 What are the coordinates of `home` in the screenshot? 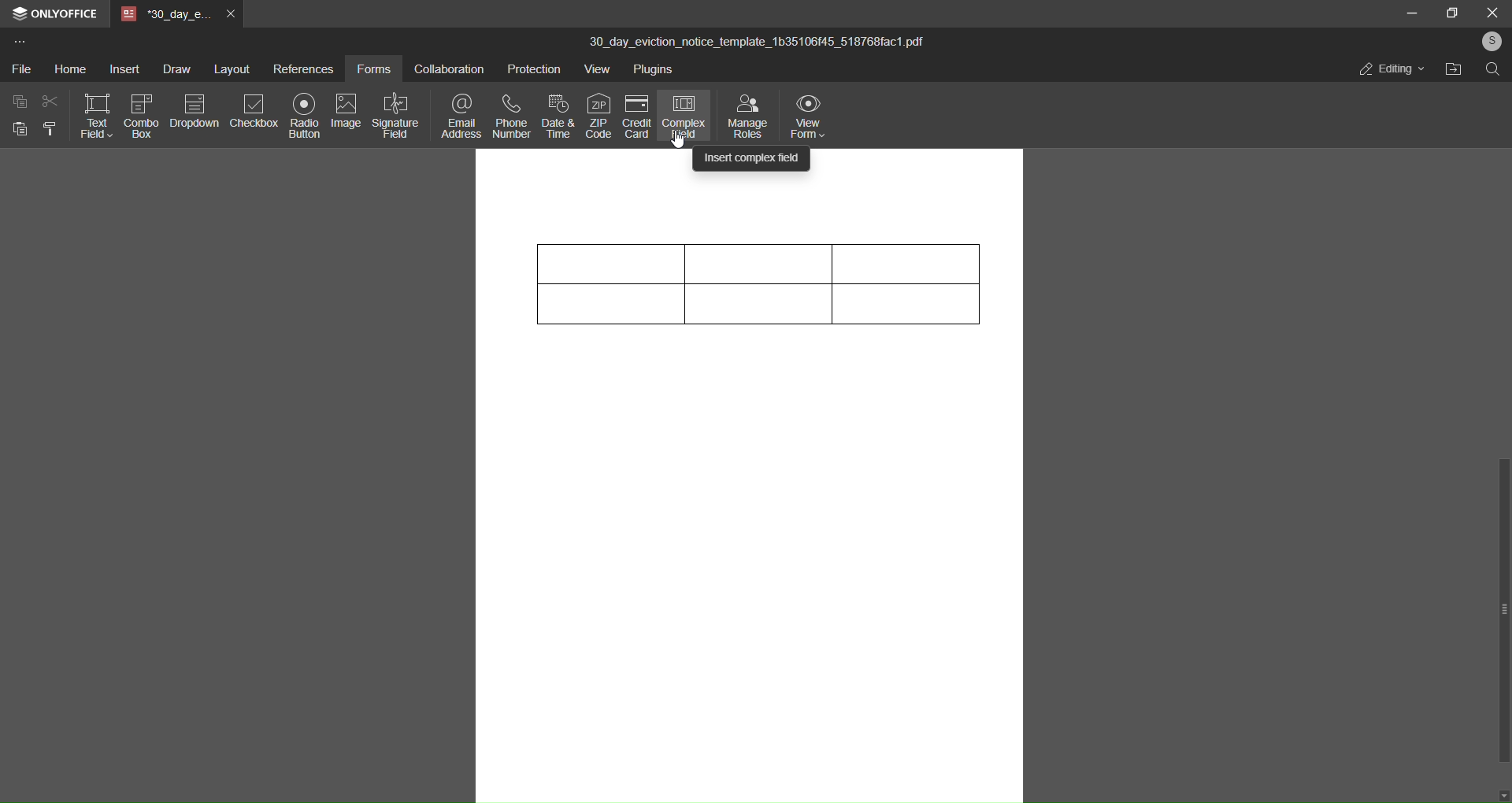 It's located at (70, 68).